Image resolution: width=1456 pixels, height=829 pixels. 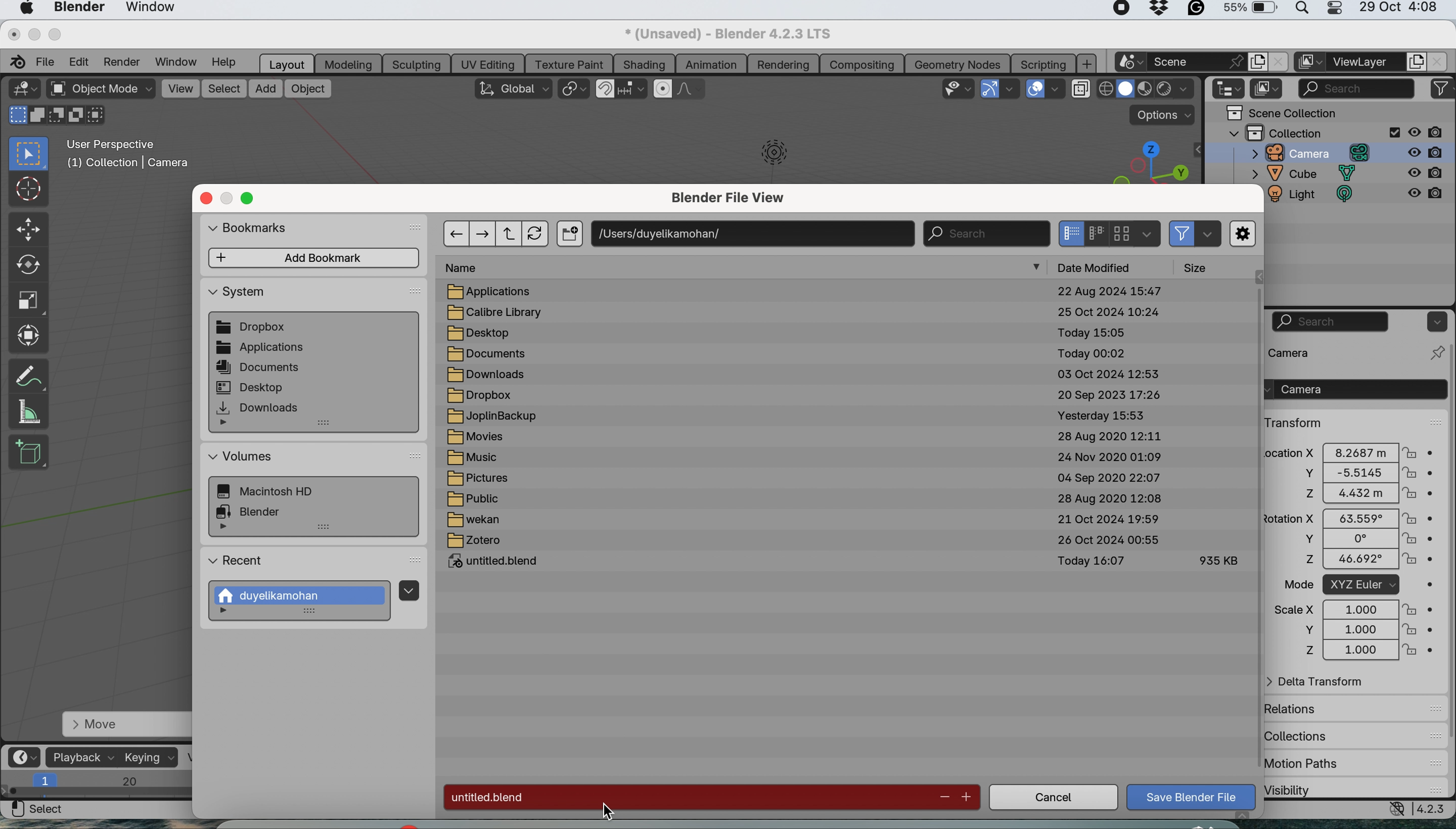 I want to click on control center, so click(x=1333, y=10).